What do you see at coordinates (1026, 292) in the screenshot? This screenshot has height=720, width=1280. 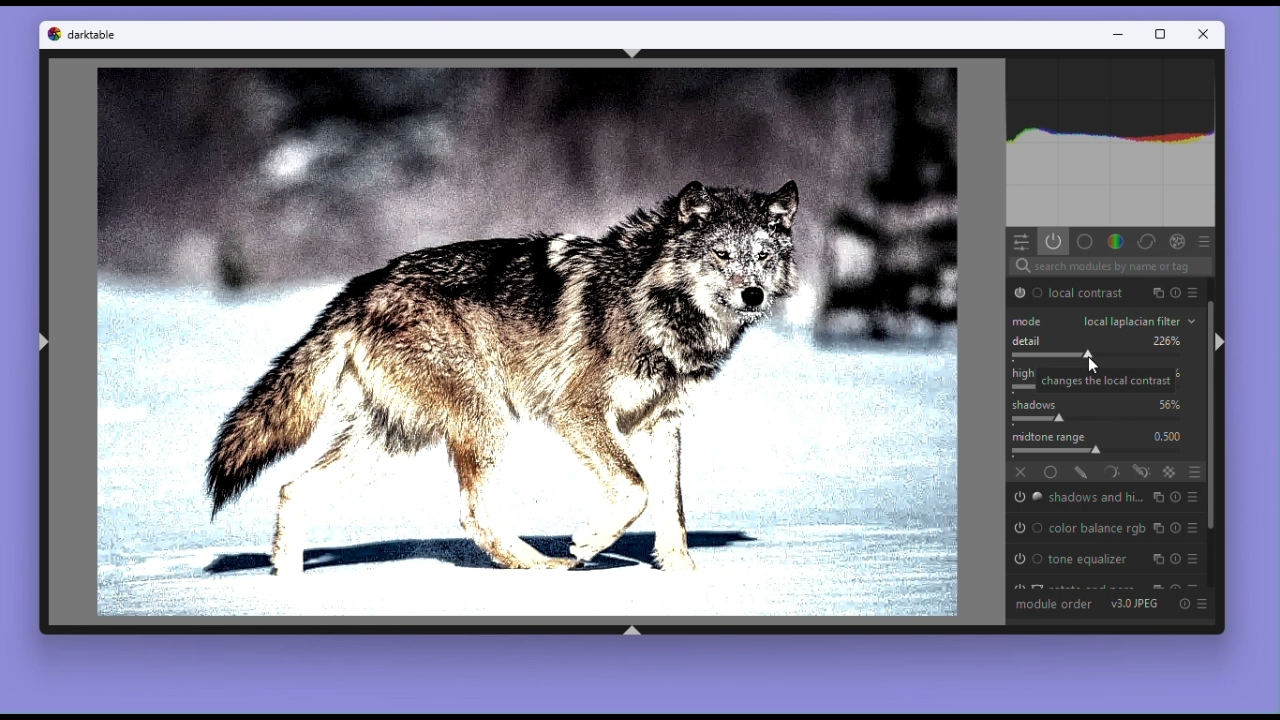 I see `'local contrast' is switched on` at bounding box center [1026, 292].